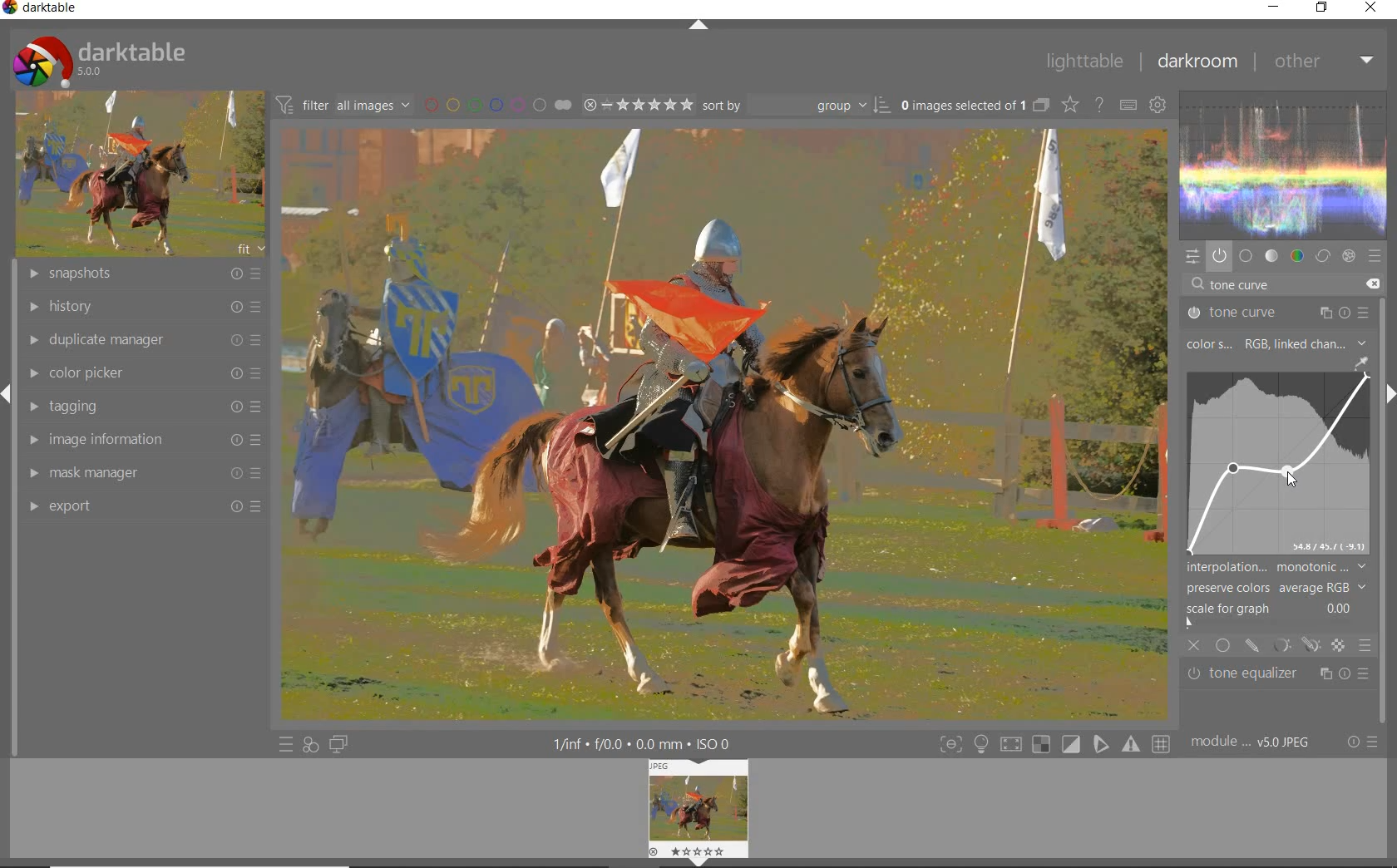 The image size is (1397, 868). I want to click on Sort, so click(796, 105).